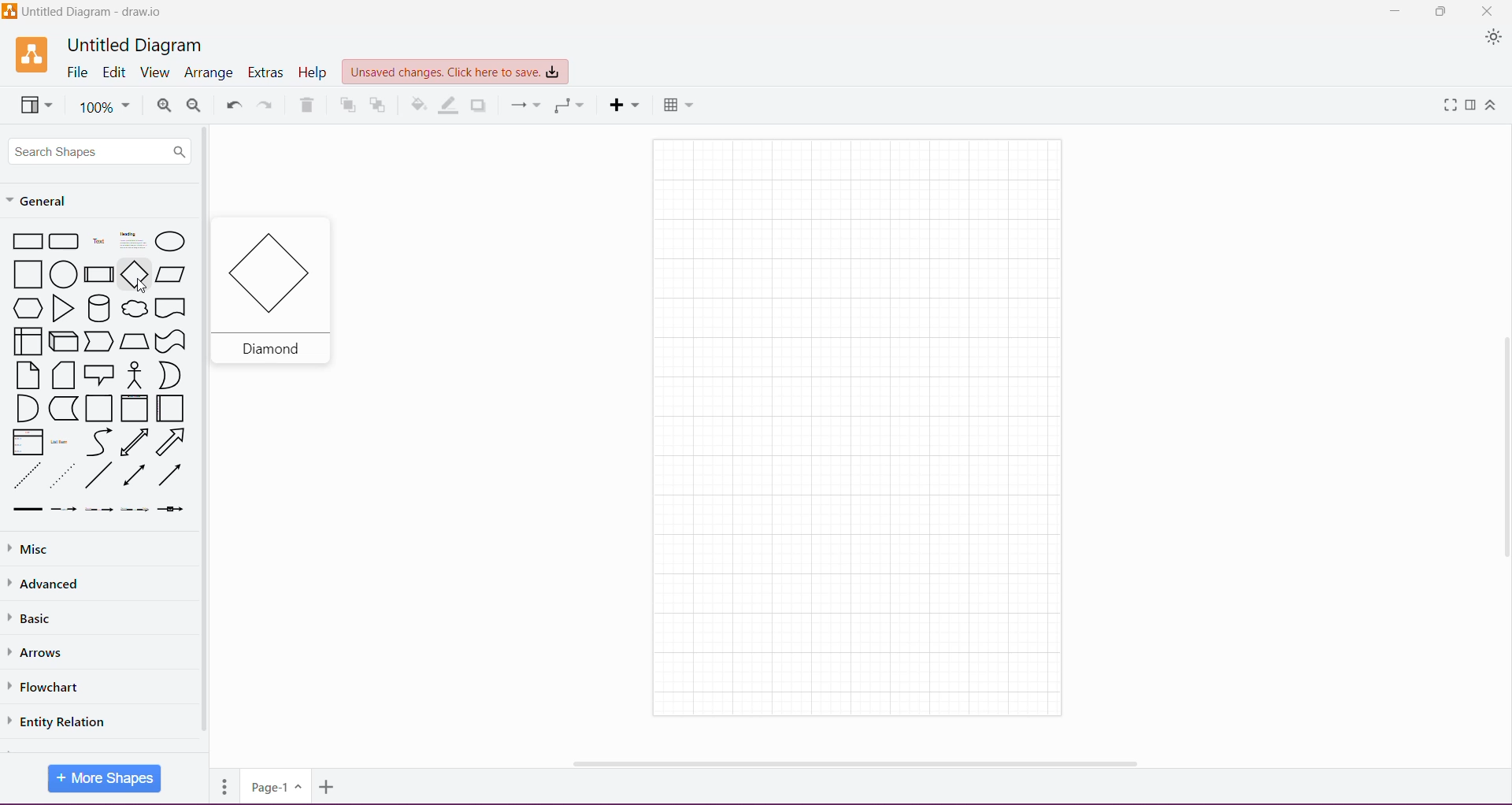 The image size is (1512, 805). I want to click on Fill Color, so click(418, 103).